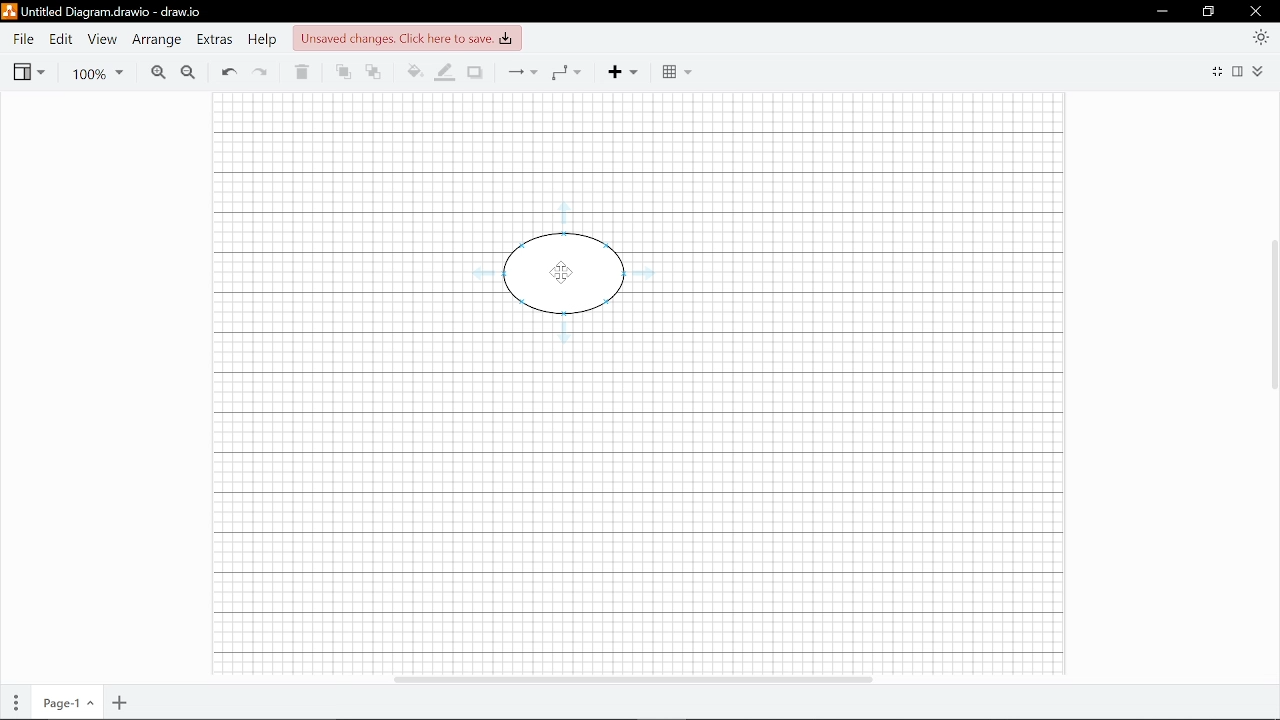 The image size is (1280, 720). I want to click on Add page, so click(117, 704).